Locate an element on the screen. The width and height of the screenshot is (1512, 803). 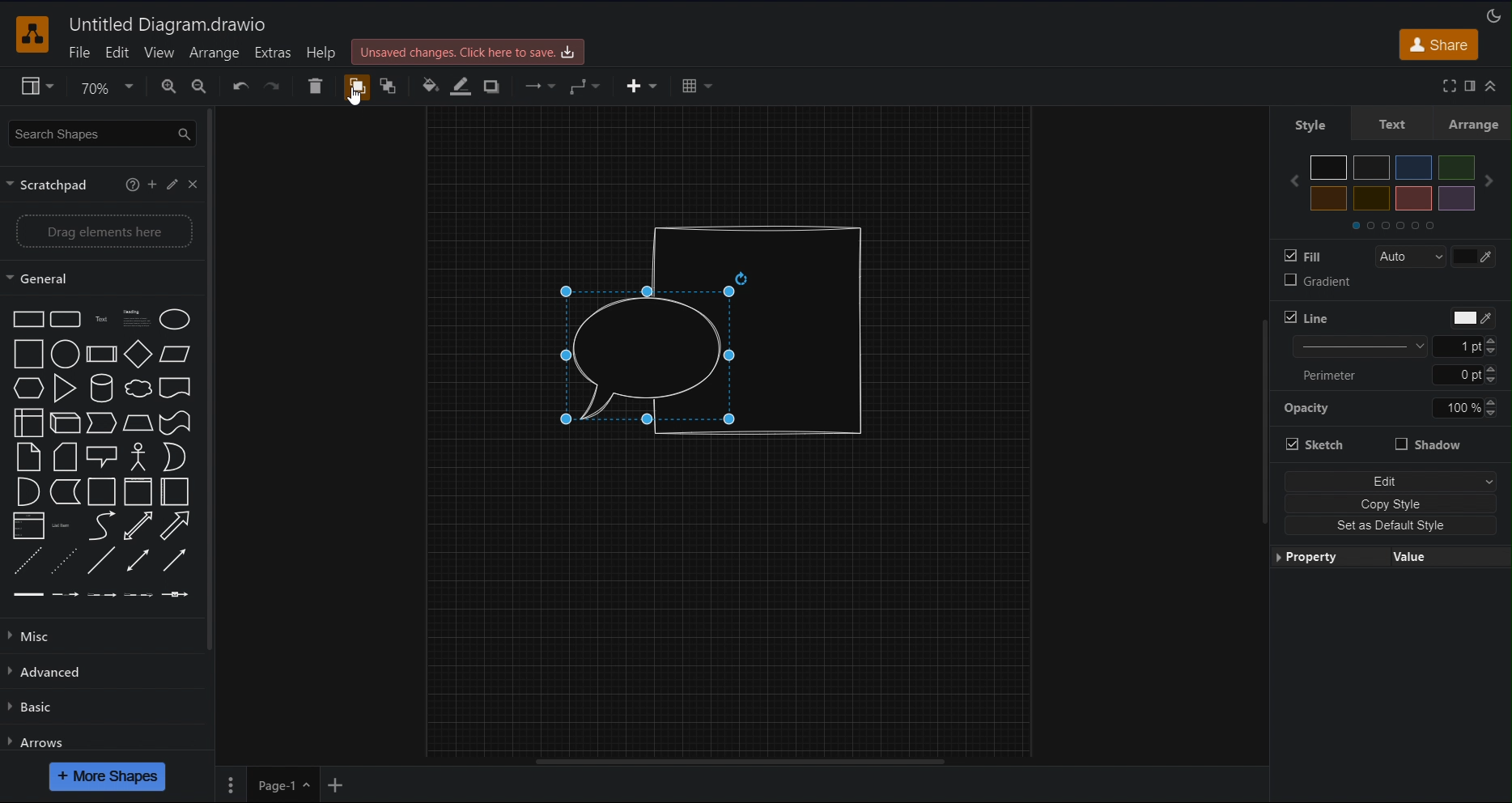
Line thickness options is located at coordinates (1360, 346).